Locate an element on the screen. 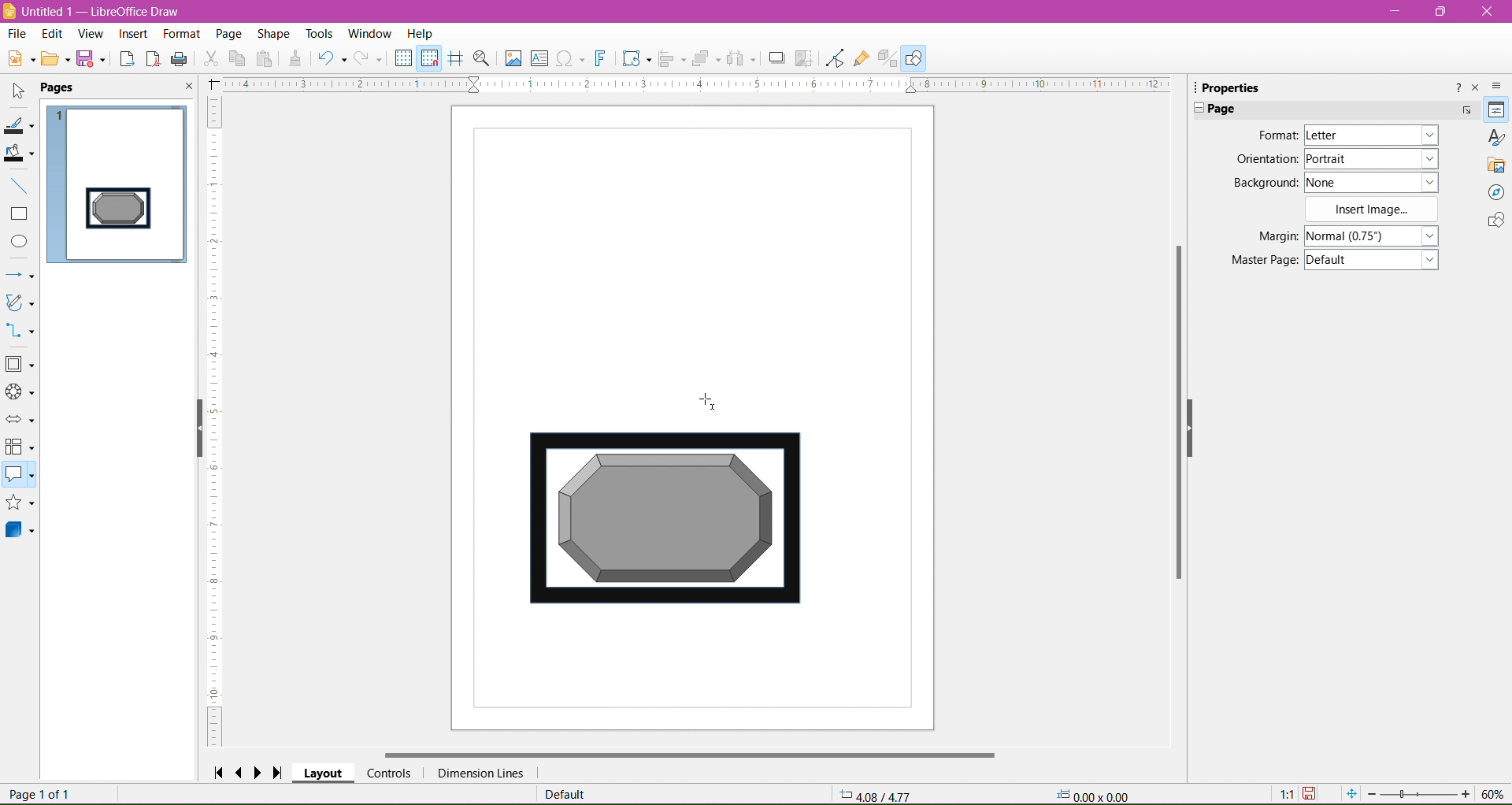  File is located at coordinates (16, 33).